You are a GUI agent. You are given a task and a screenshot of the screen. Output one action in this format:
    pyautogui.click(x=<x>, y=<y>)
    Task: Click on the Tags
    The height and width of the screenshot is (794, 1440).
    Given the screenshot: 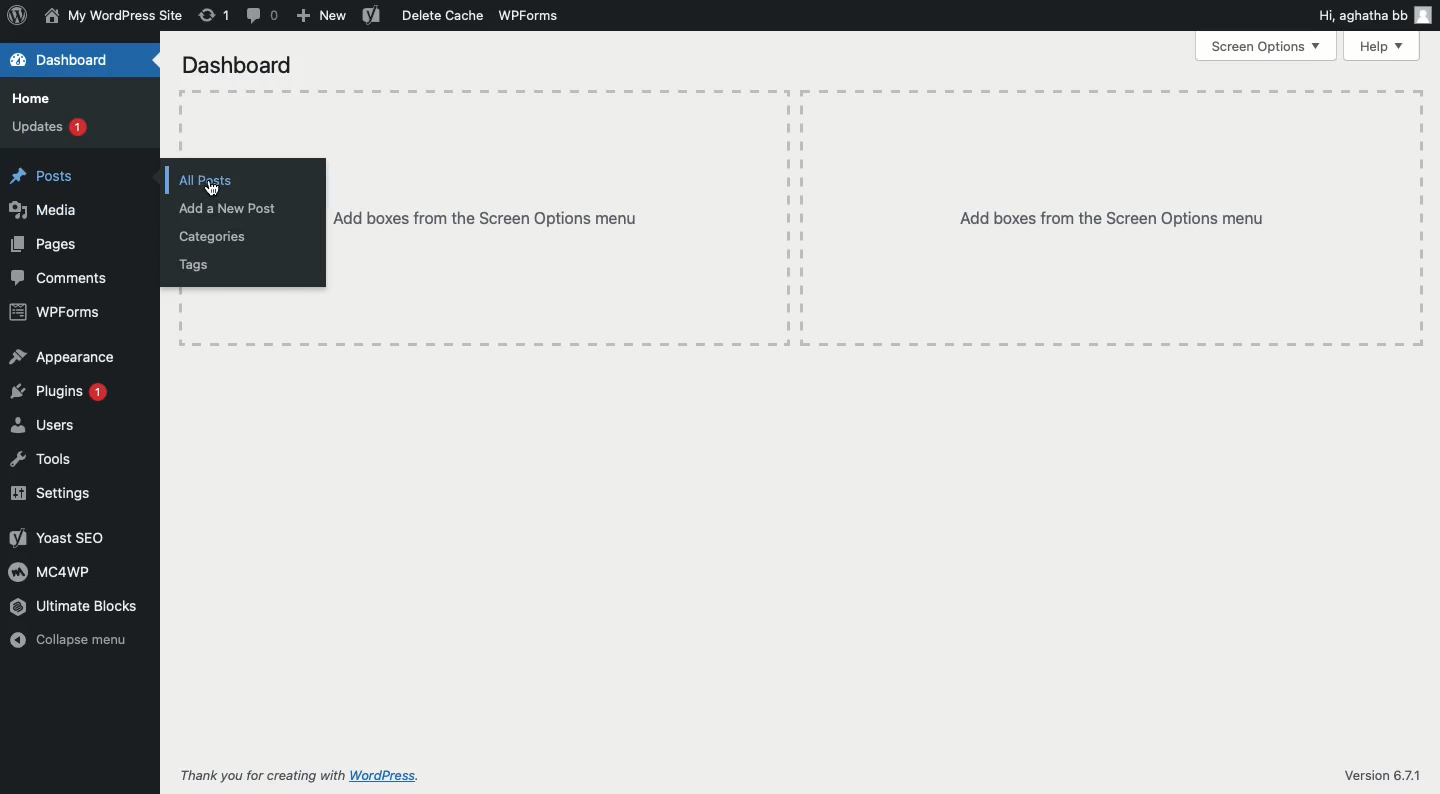 What is the action you would take?
    pyautogui.click(x=201, y=268)
    